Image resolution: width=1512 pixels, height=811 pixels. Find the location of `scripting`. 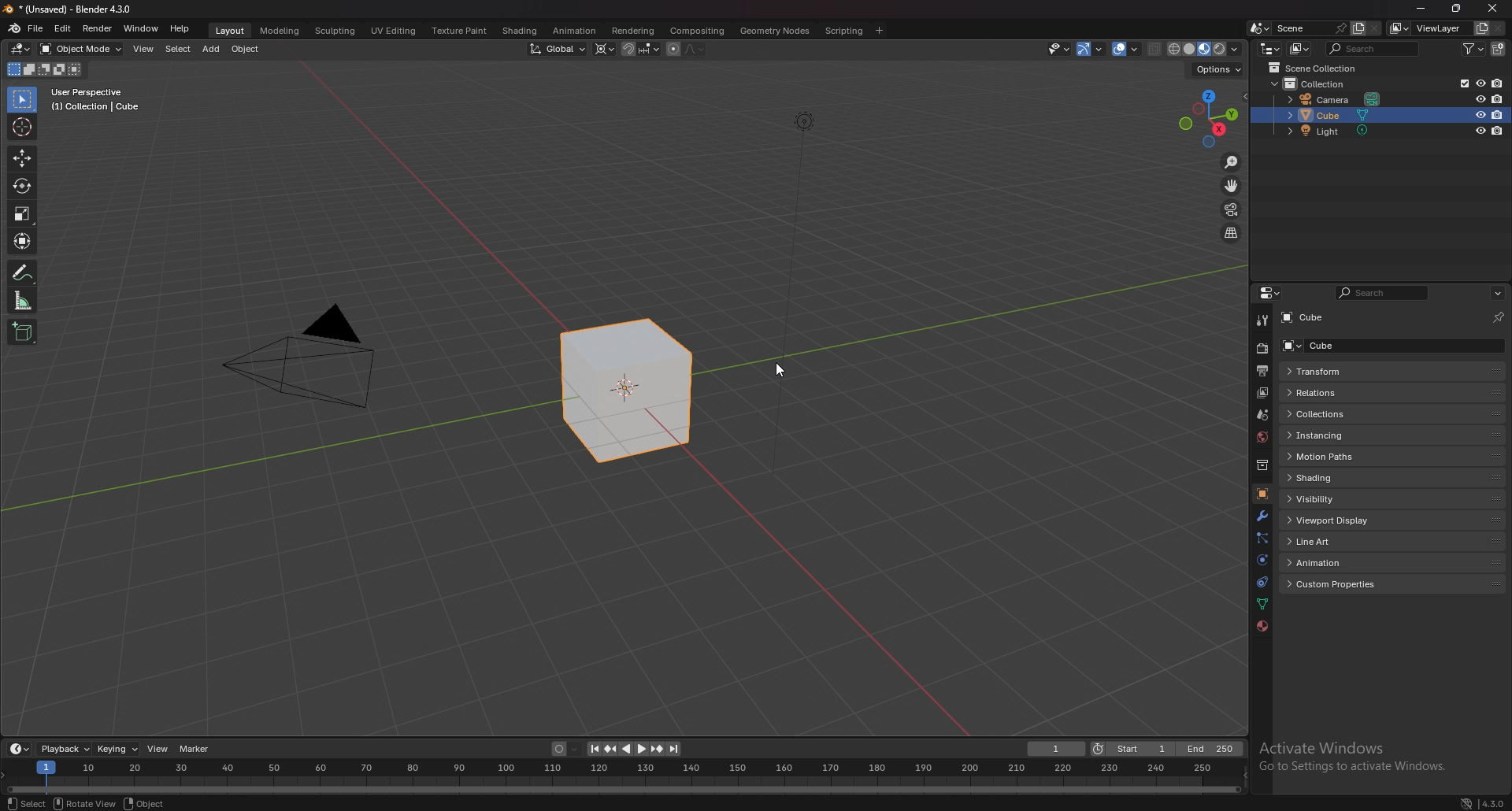

scripting is located at coordinates (843, 31).